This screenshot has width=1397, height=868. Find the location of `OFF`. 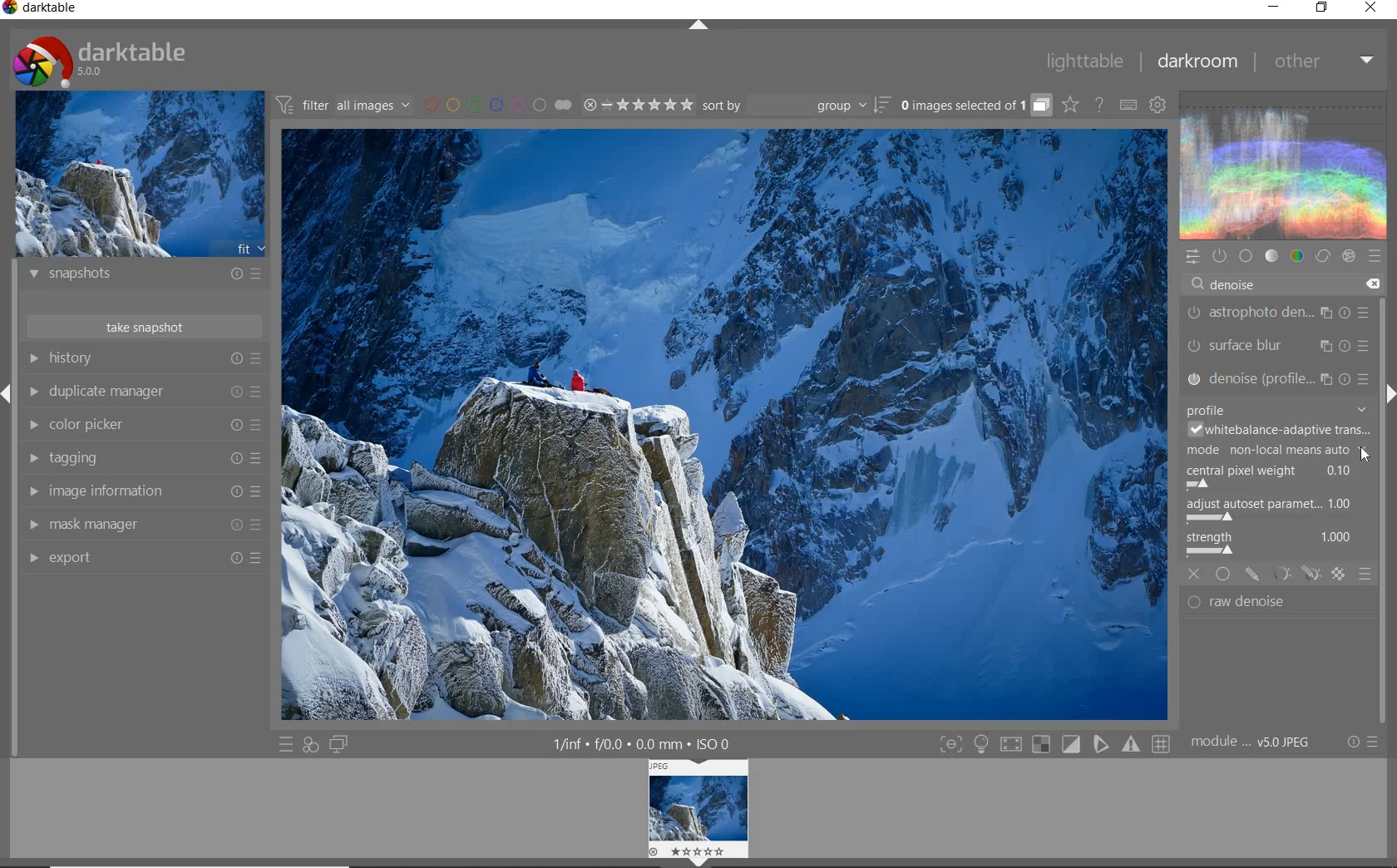

OFF is located at coordinates (1194, 575).